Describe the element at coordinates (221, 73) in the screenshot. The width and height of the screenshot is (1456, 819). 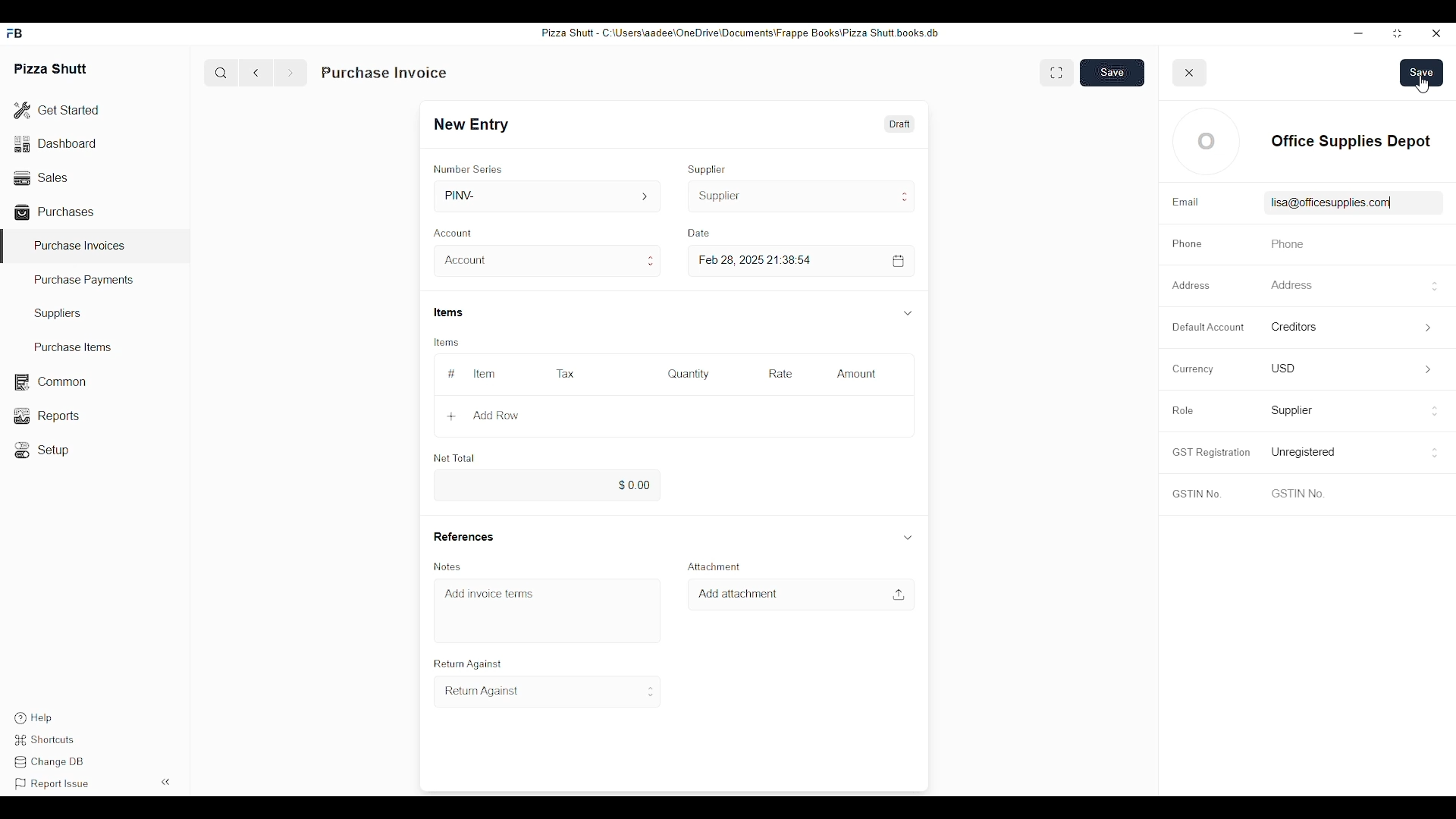
I see `search` at that location.